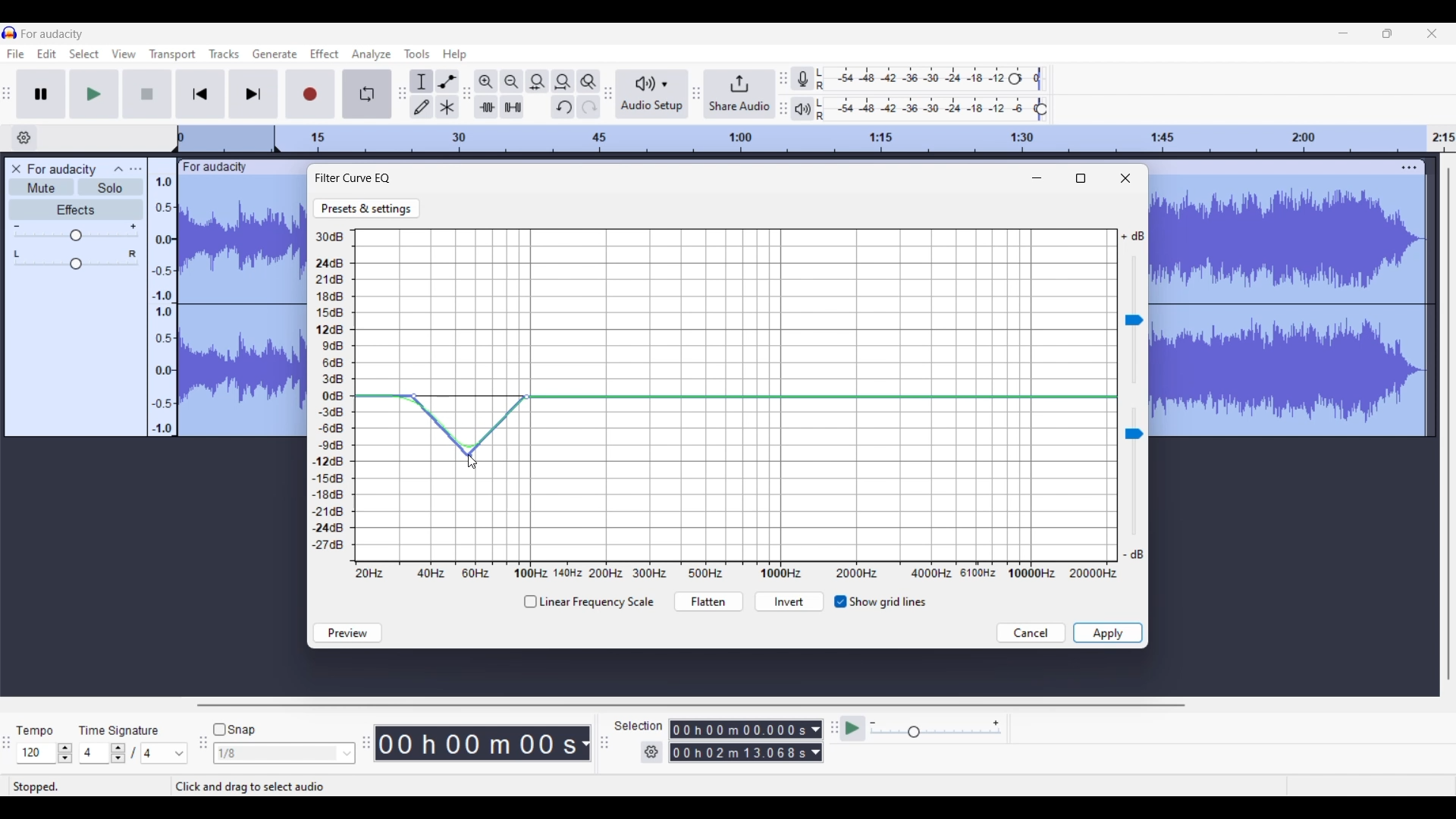 The image size is (1456, 819). Describe the element at coordinates (118, 753) in the screenshot. I see `Increase/Decrease time signature` at that location.